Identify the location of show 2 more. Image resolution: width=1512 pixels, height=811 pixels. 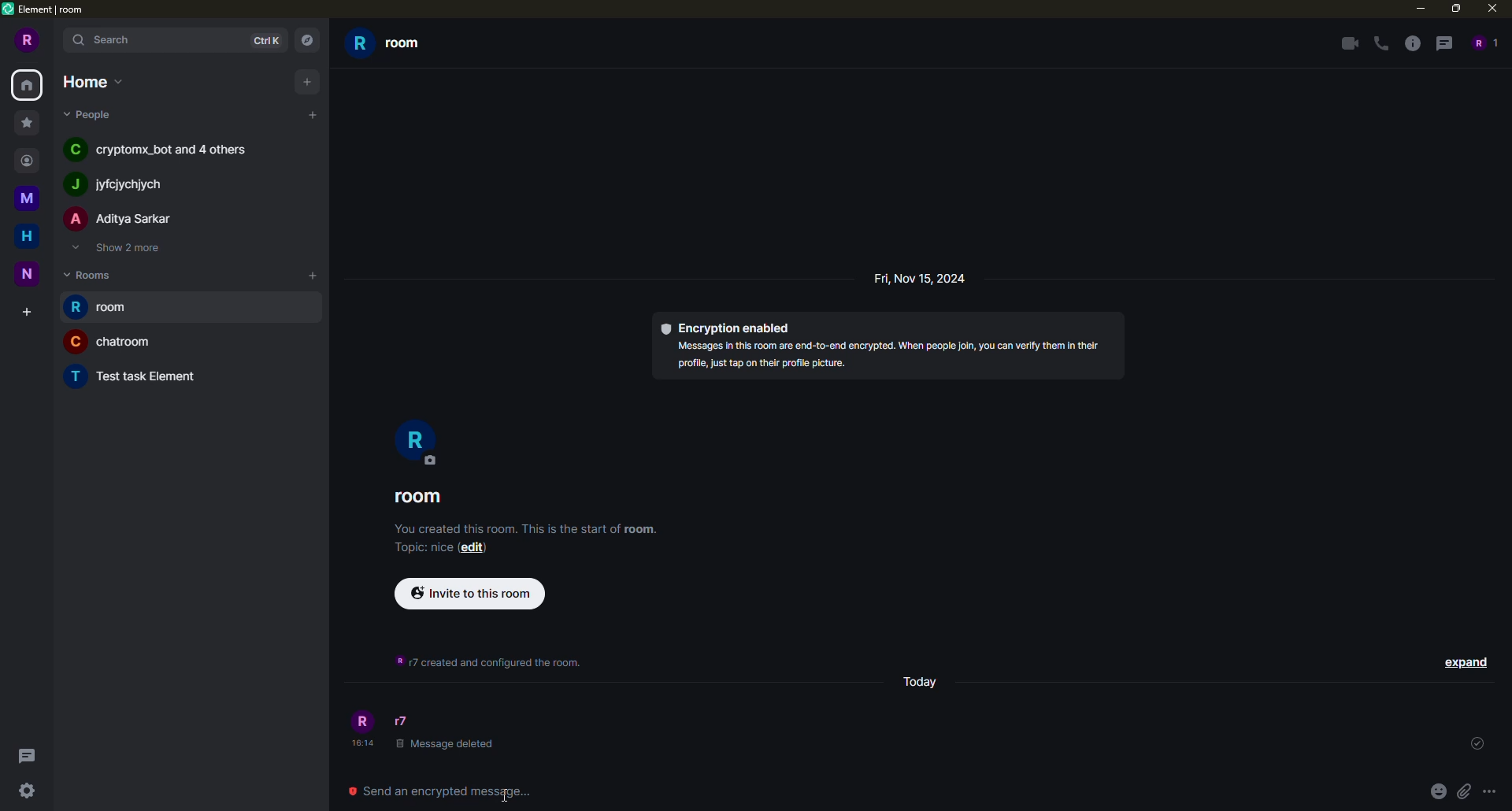
(123, 249).